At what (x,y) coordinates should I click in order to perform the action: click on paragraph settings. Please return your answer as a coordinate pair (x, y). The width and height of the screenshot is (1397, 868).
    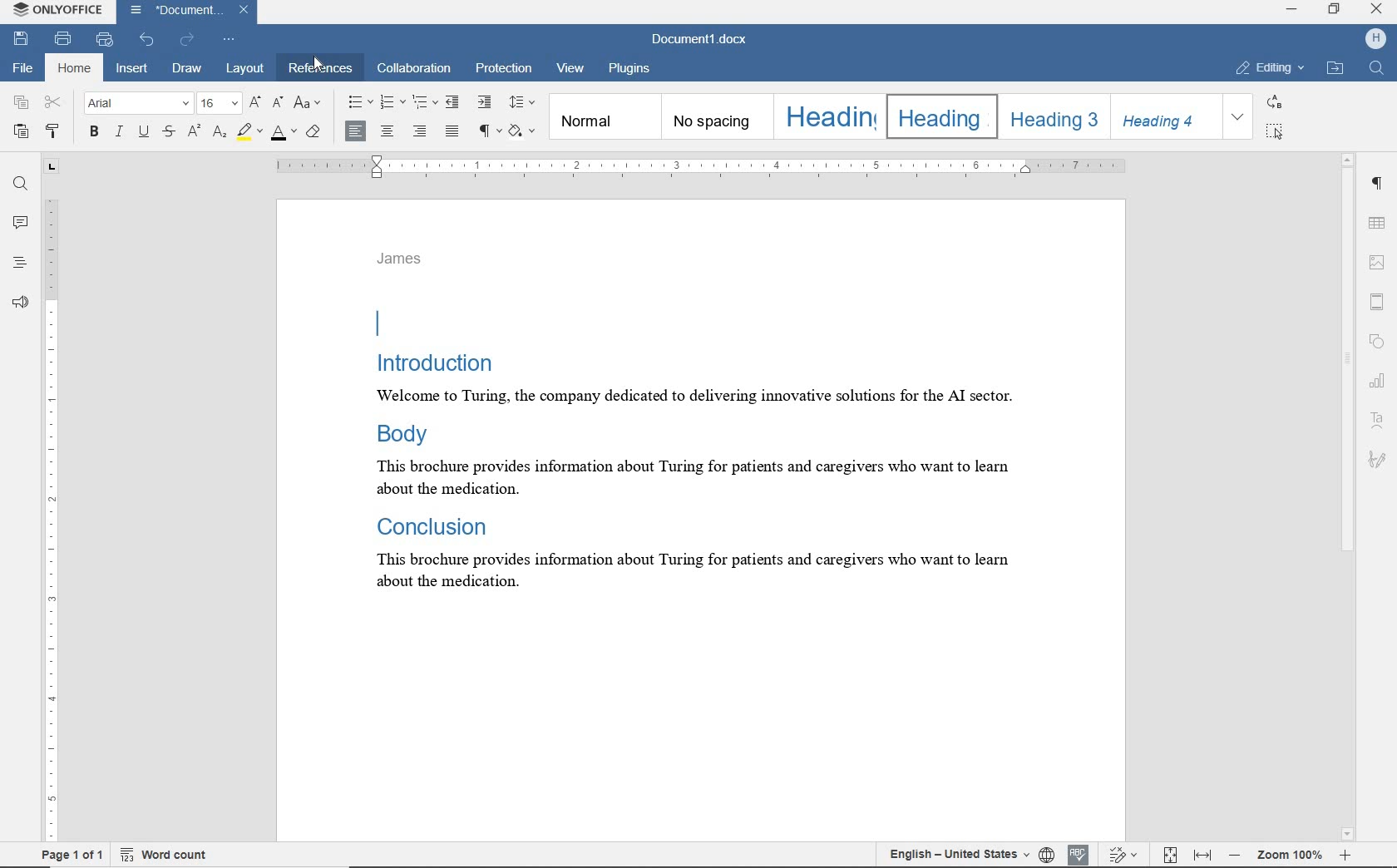
    Looking at the image, I should click on (1379, 186).